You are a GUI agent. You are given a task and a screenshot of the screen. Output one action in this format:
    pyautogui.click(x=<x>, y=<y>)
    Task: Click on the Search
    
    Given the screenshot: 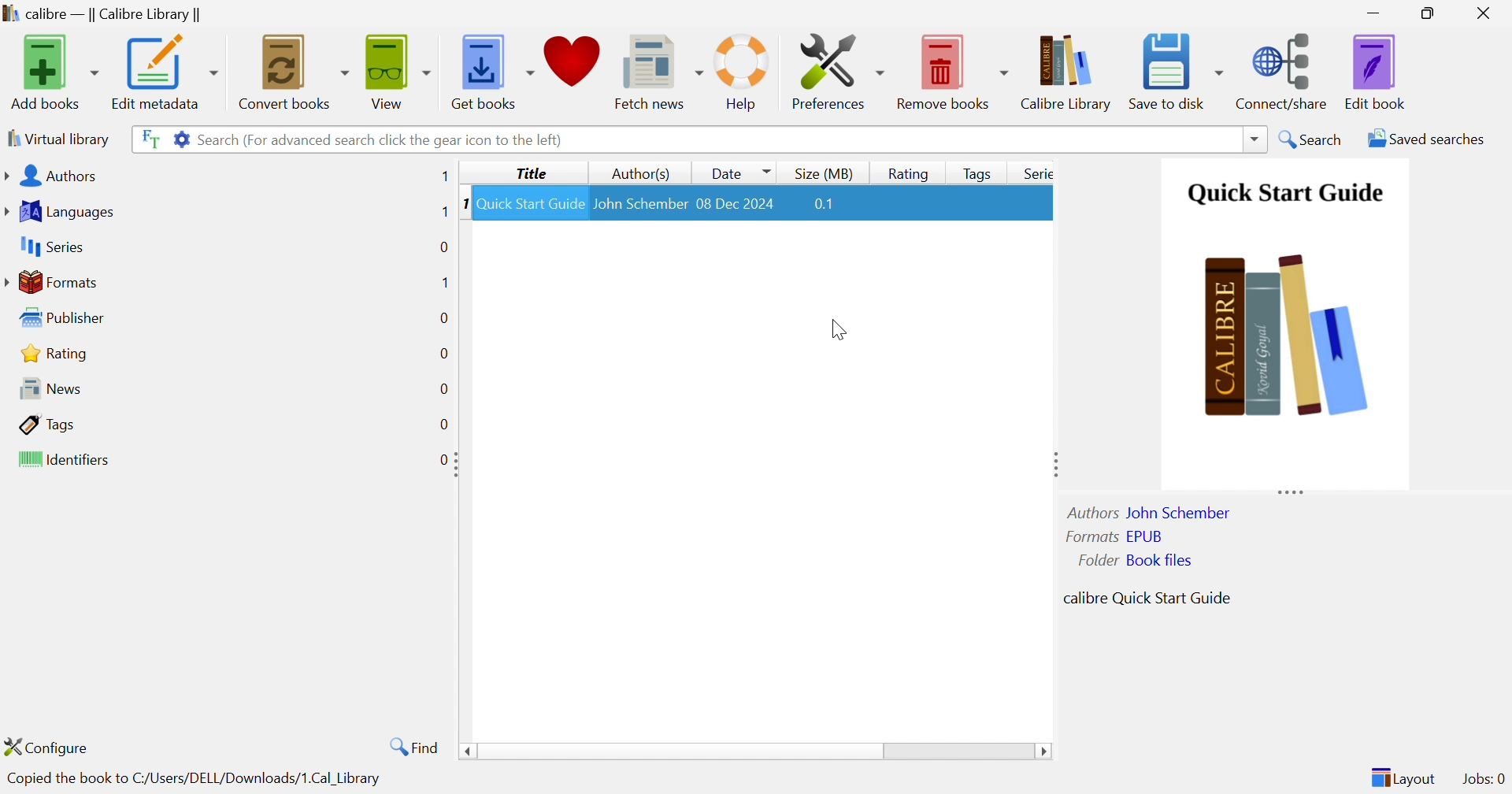 What is the action you would take?
    pyautogui.click(x=1312, y=138)
    